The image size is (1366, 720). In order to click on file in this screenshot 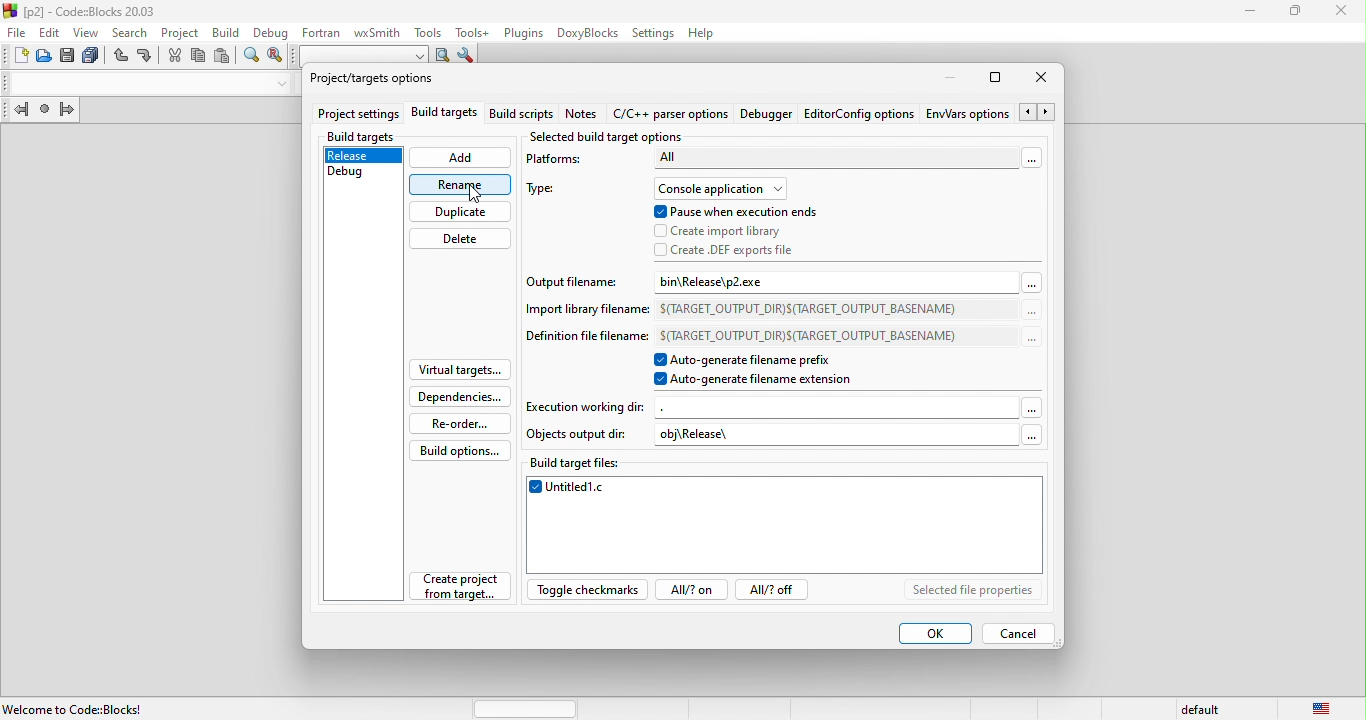, I will do `click(15, 33)`.